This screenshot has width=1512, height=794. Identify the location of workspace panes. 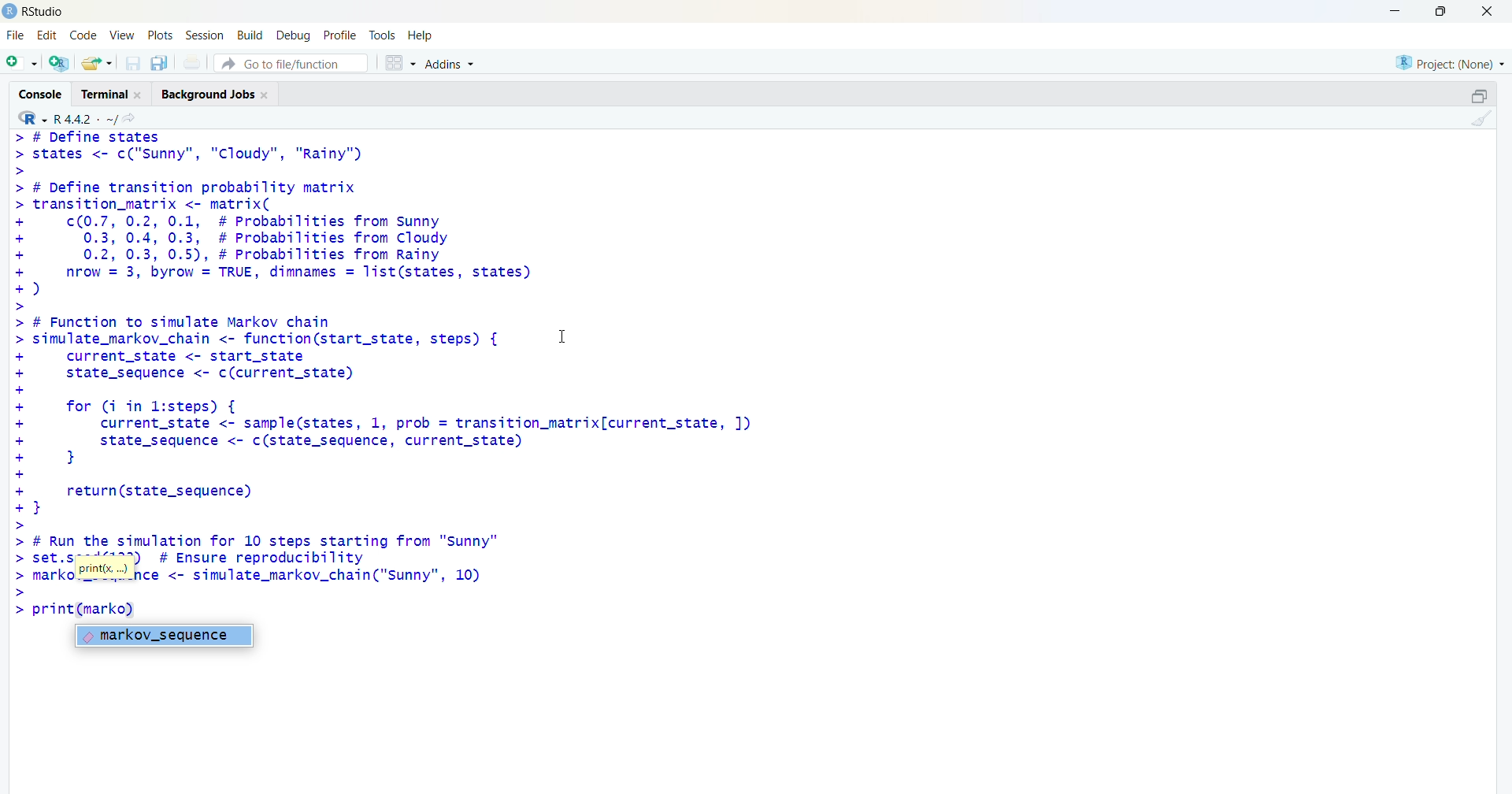
(399, 65).